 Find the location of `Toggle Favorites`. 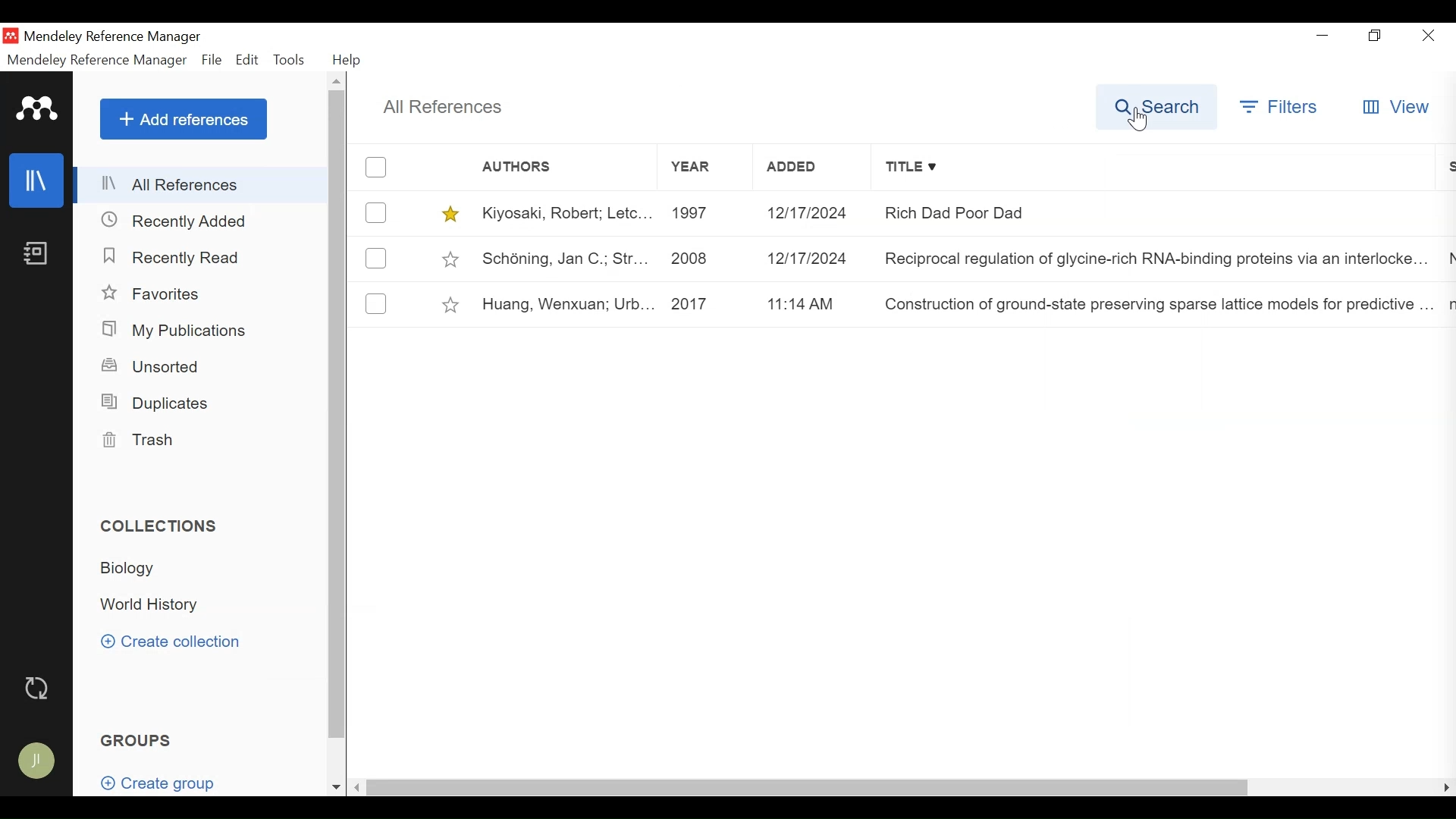

Toggle Favorites is located at coordinates (451, 257).